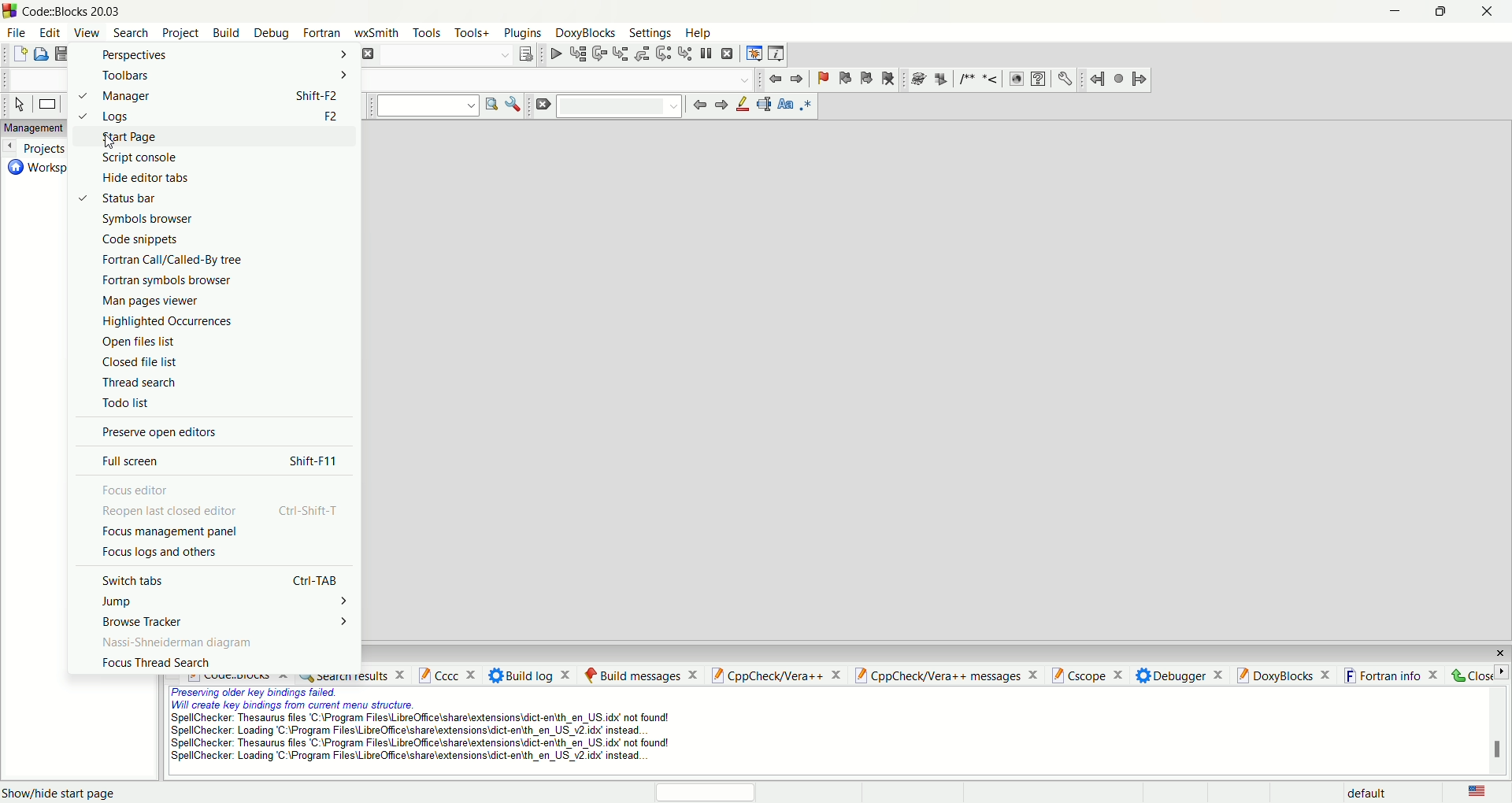 The height and width of the screenshot is (803, 1512). I want to click on nassi-shneiderman diagram, so click(177, 642).